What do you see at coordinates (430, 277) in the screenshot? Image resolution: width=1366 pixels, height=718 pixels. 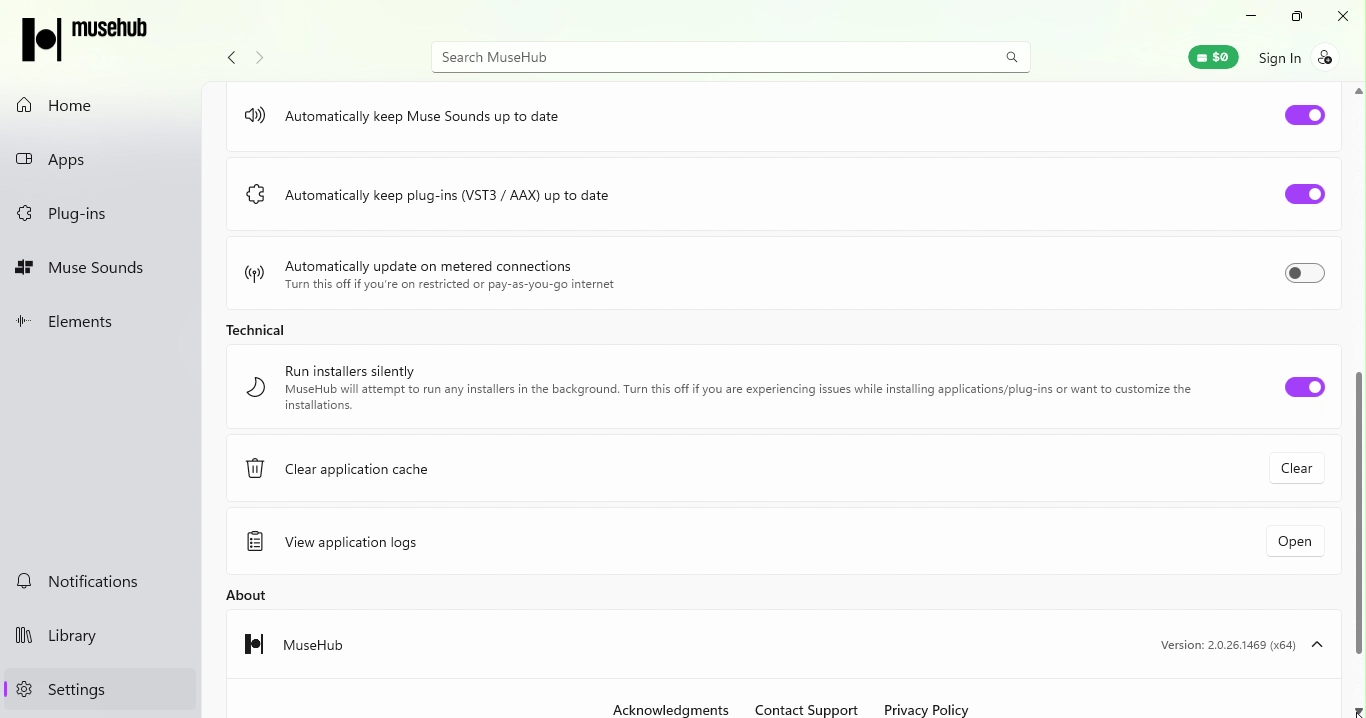 I see `Automatically update on metered connections` at bounding box center [430, 277].